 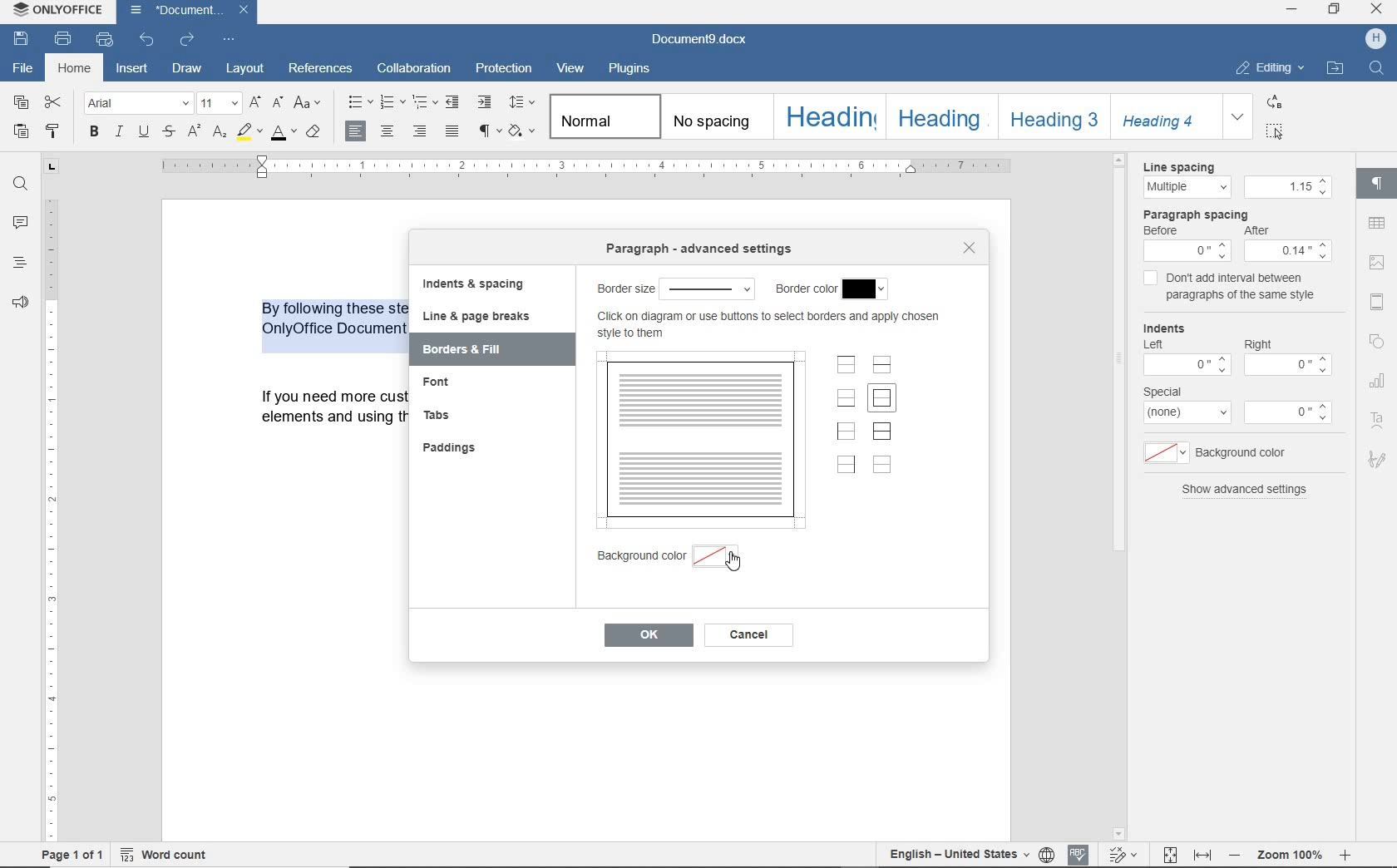 What do you see at coordinates (867, 289) in the screenshot?
I see `select` at bounding box center [867, 289].